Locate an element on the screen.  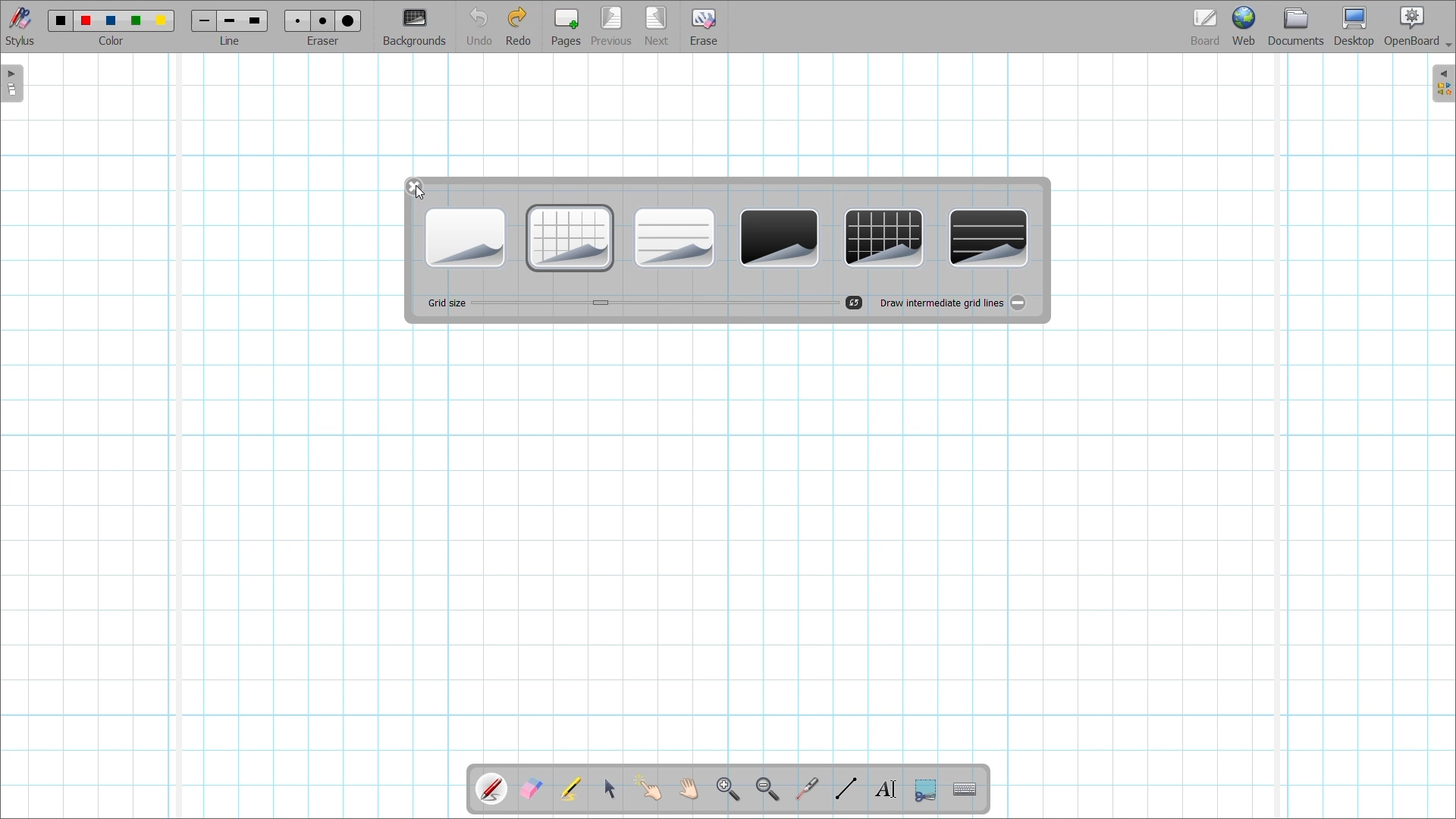
Grid light background highlighted after selection is located at coordinates (570, 238).